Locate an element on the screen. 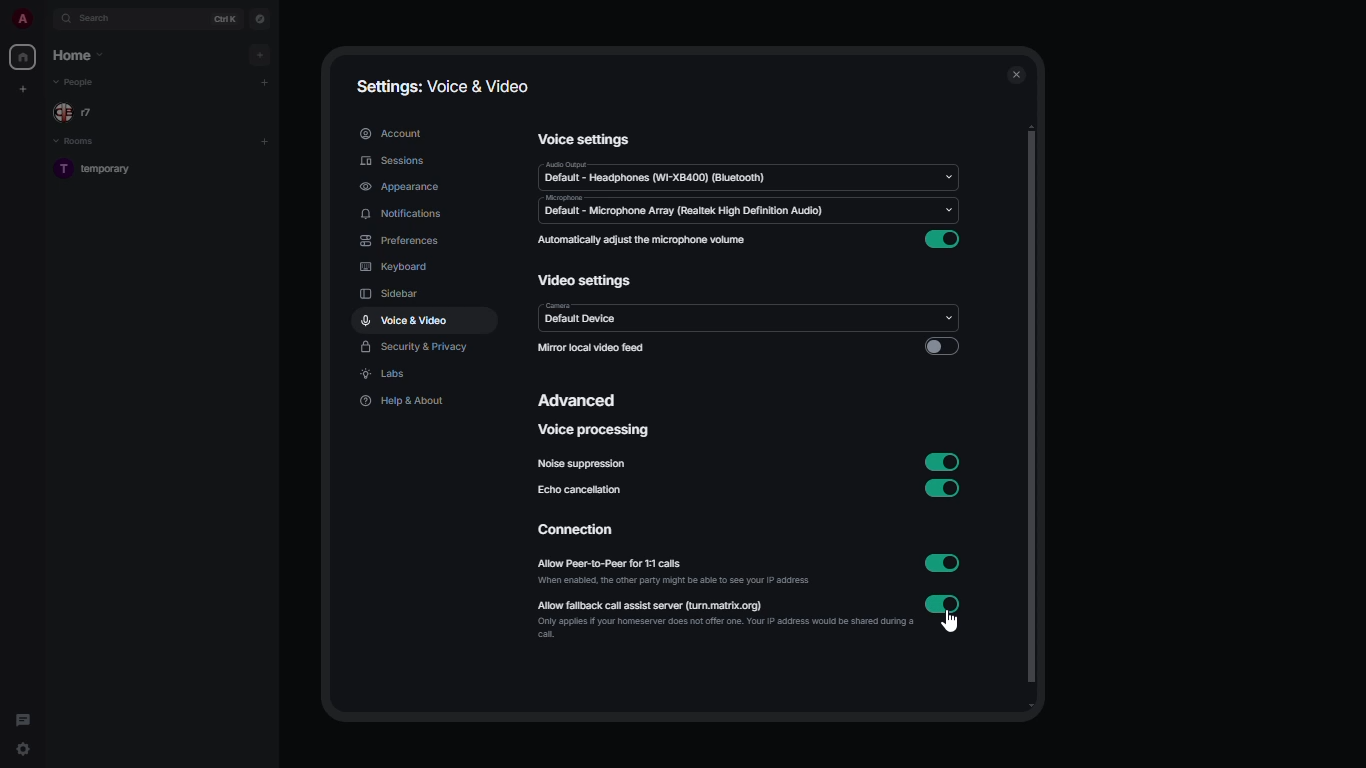 This screenshot has width=1366, height=768. navigator is located at coordinates (259, 18).